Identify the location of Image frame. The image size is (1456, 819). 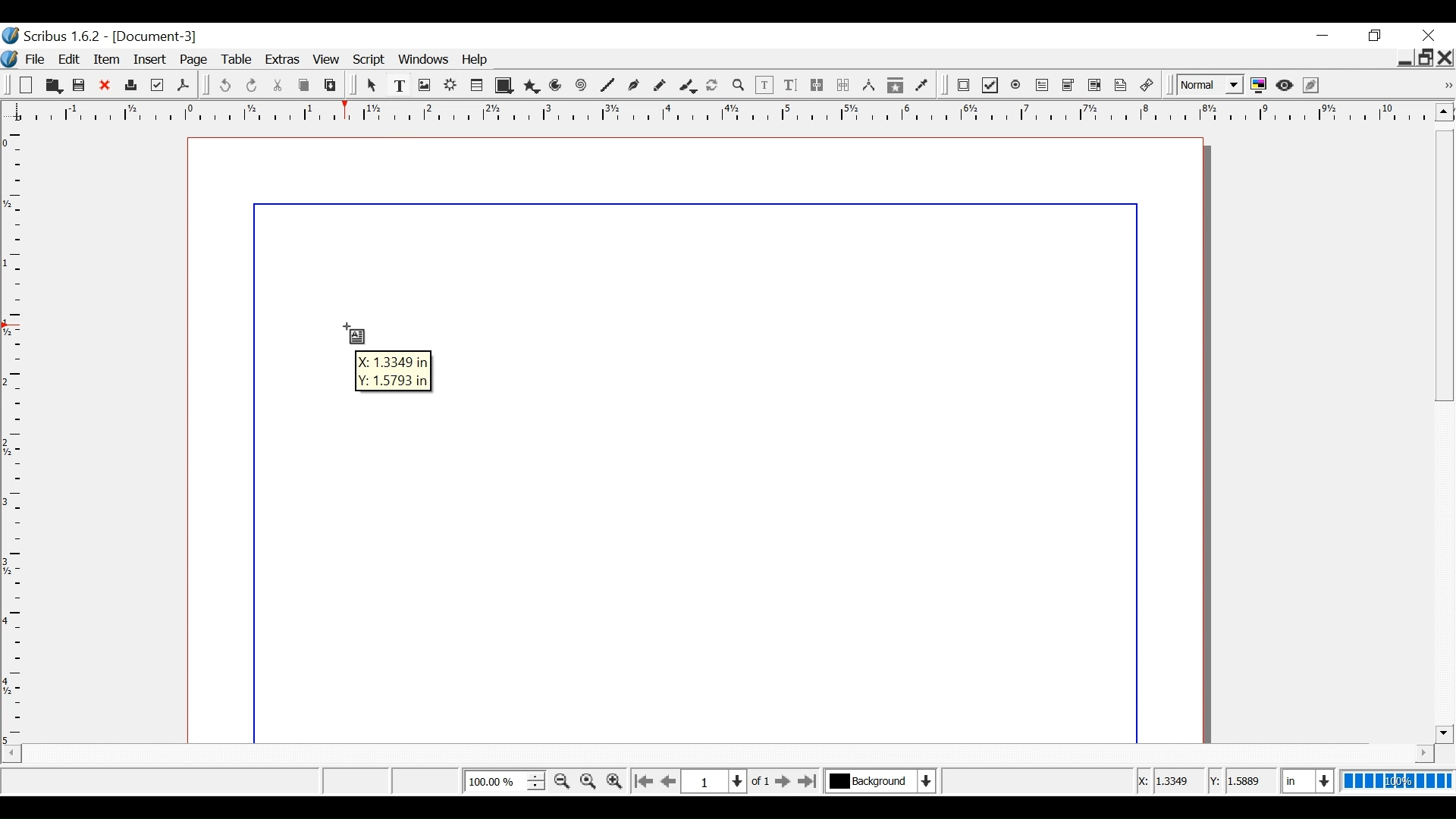
(424, 86).